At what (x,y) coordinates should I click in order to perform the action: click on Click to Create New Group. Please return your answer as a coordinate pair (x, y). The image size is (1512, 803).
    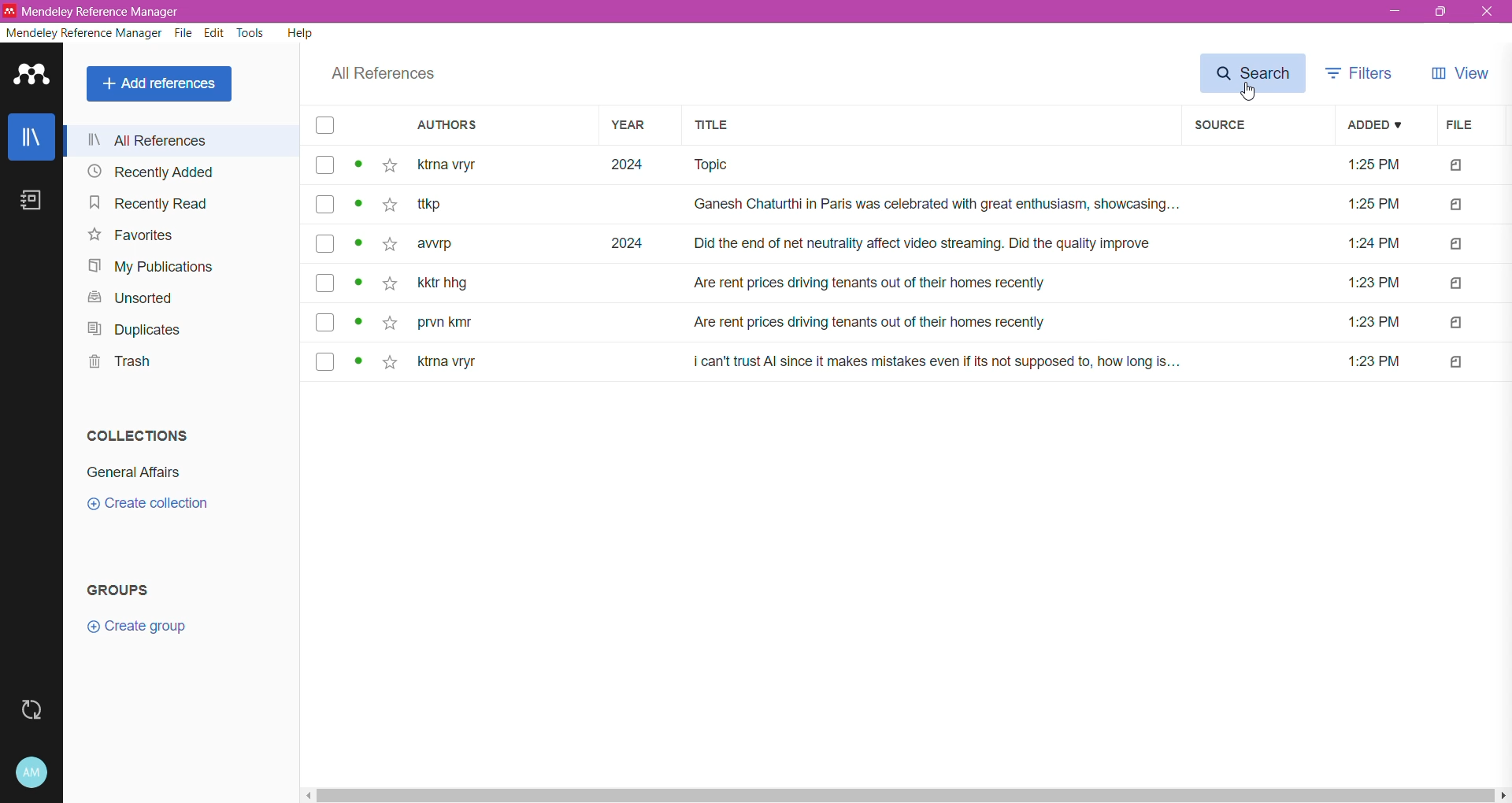
    Looking at the image, I should click on (143, 627).